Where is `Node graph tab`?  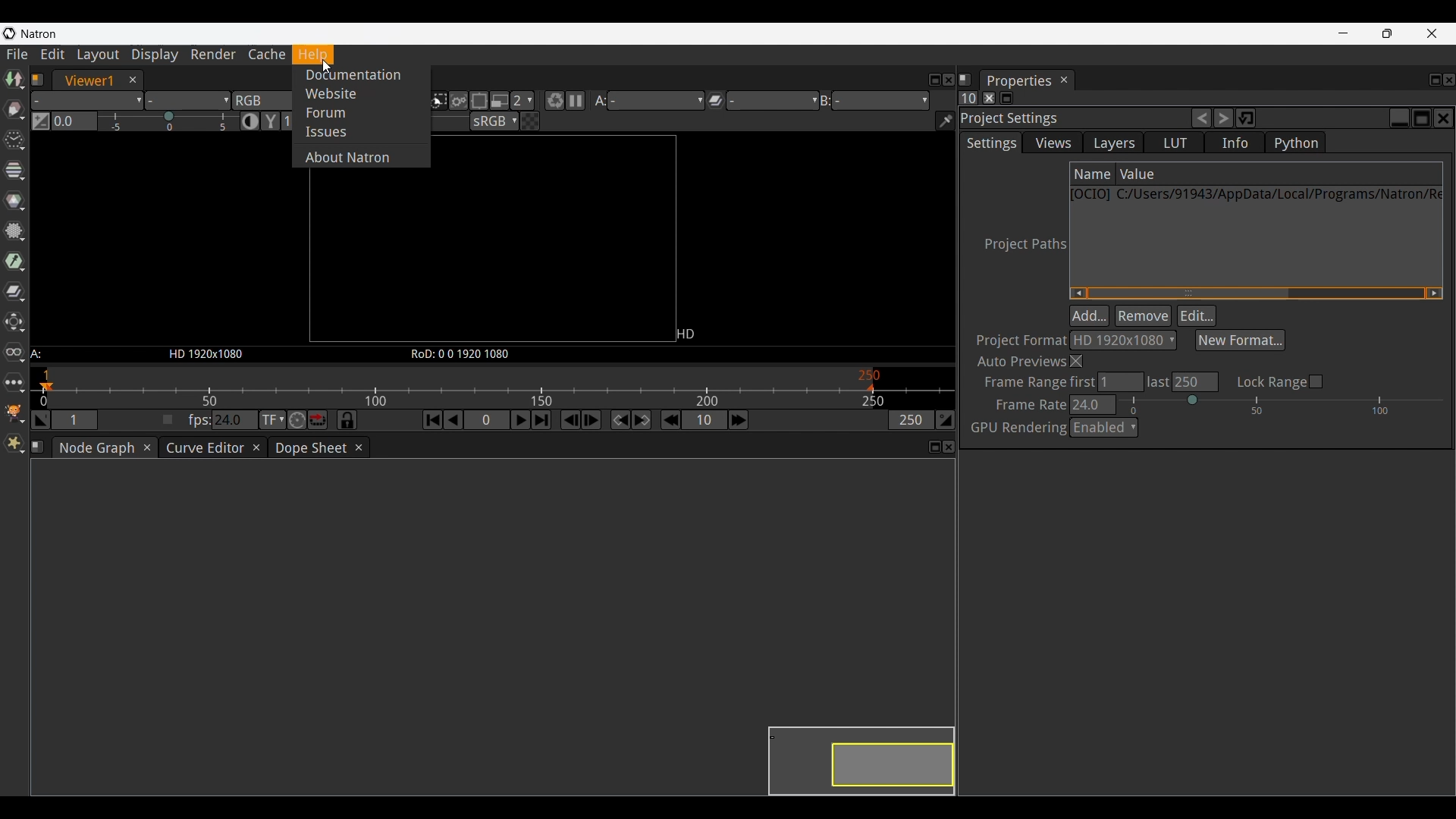
Node graph tab is located at coordinates (93, 447).